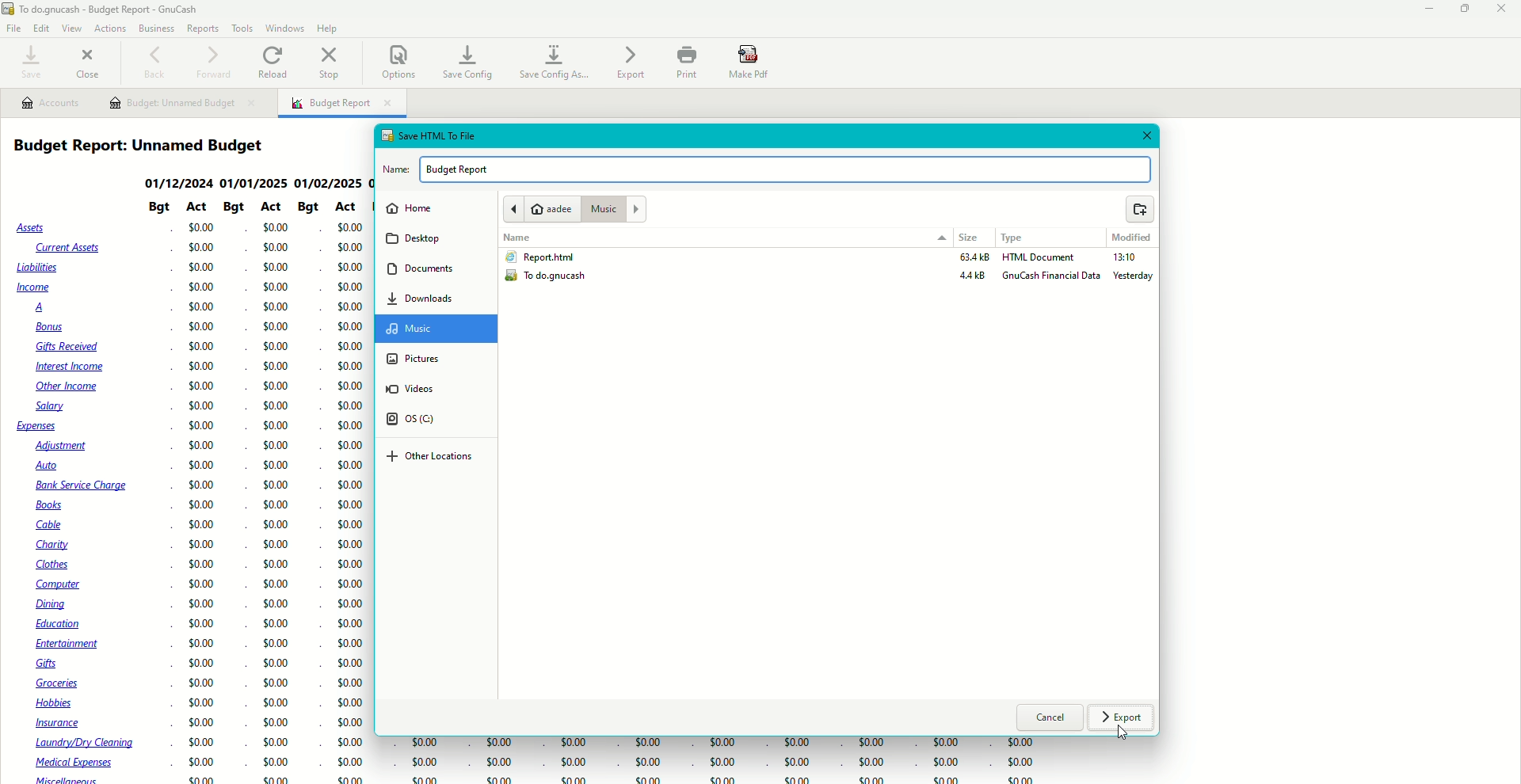 This screenshot has height=784, width=1521. I want to click on Make PDF, so click(751, 63).